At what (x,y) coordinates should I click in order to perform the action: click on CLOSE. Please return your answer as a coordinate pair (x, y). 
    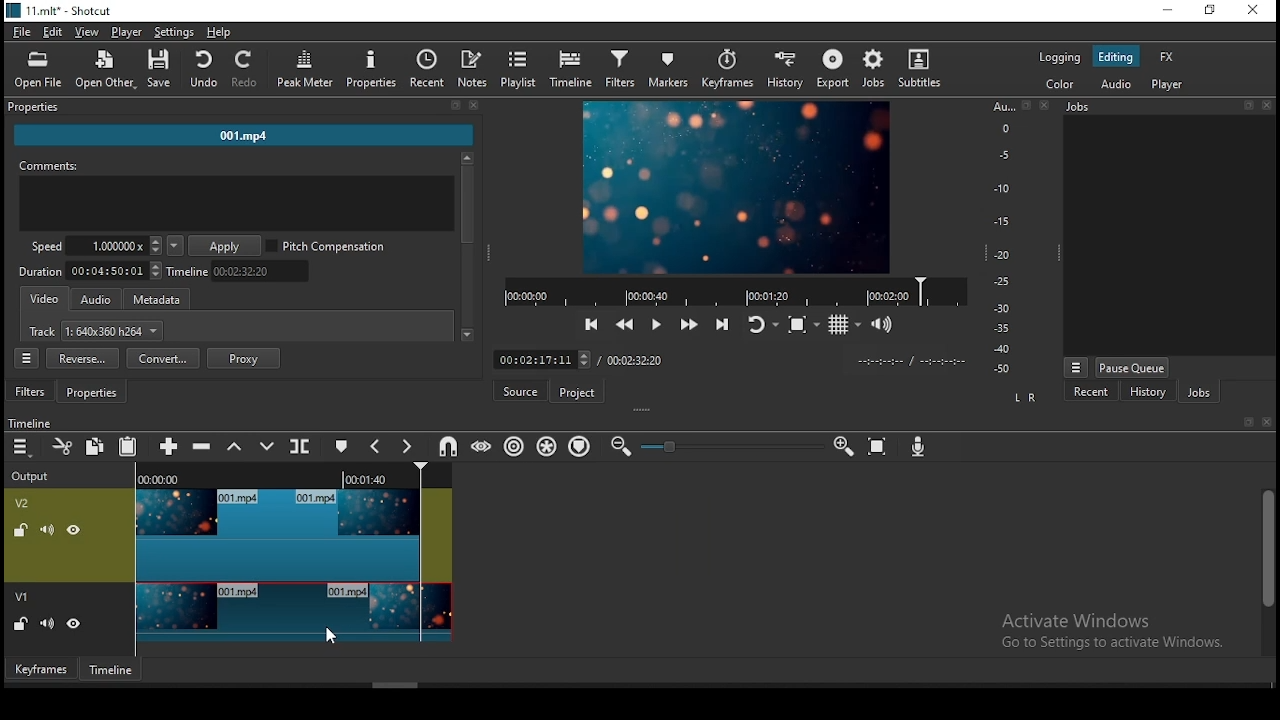
    Looking at the image, I should click on (1265, 423).